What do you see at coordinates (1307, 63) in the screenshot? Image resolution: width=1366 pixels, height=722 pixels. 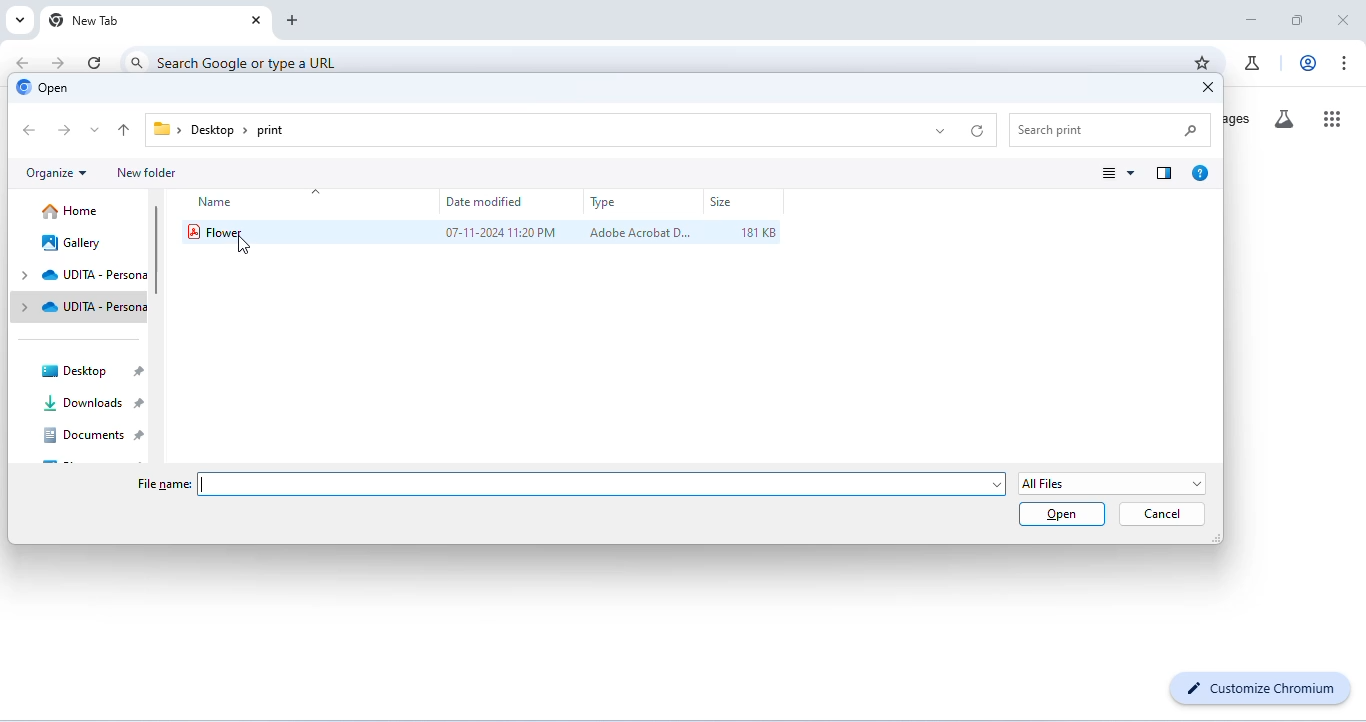 I see `account` at bounding box center [1307, 63].